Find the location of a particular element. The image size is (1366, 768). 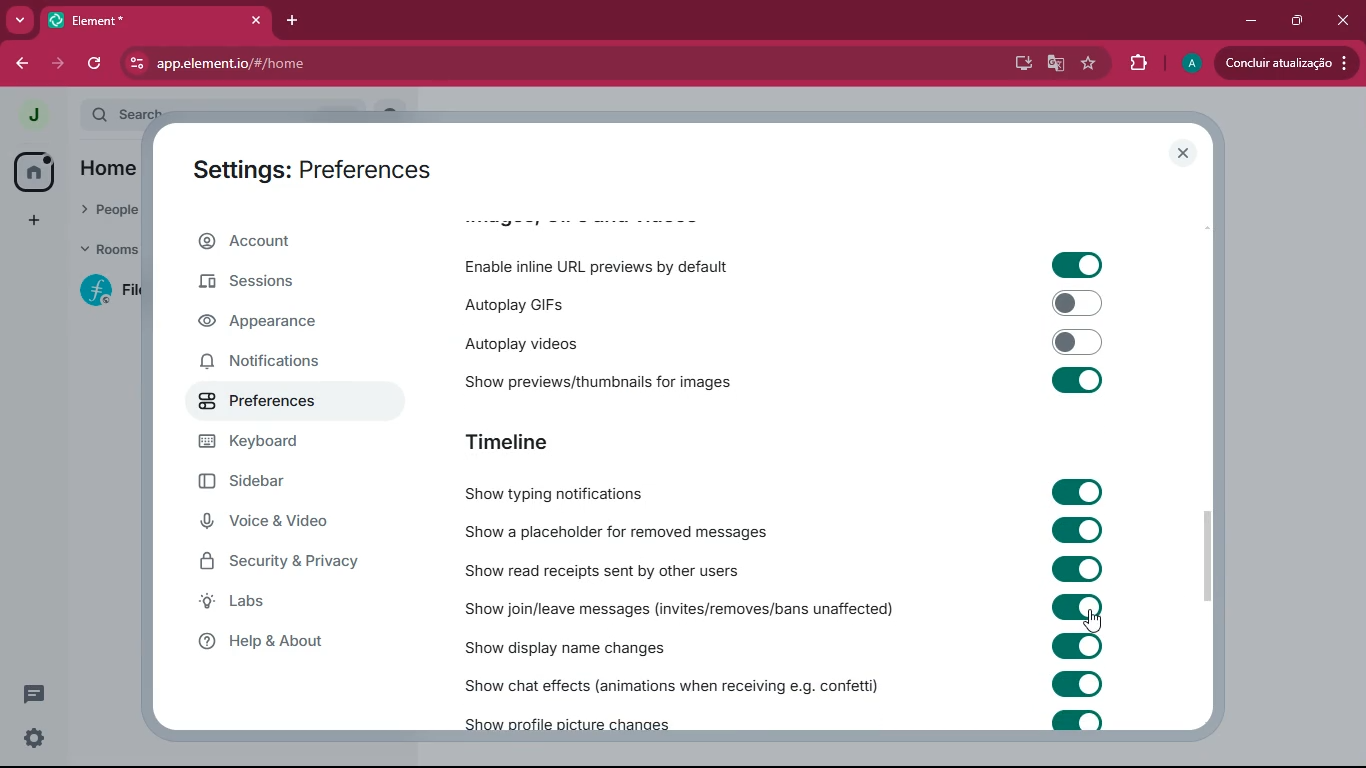

toggle on/off is located at coordinates (1078, 529).